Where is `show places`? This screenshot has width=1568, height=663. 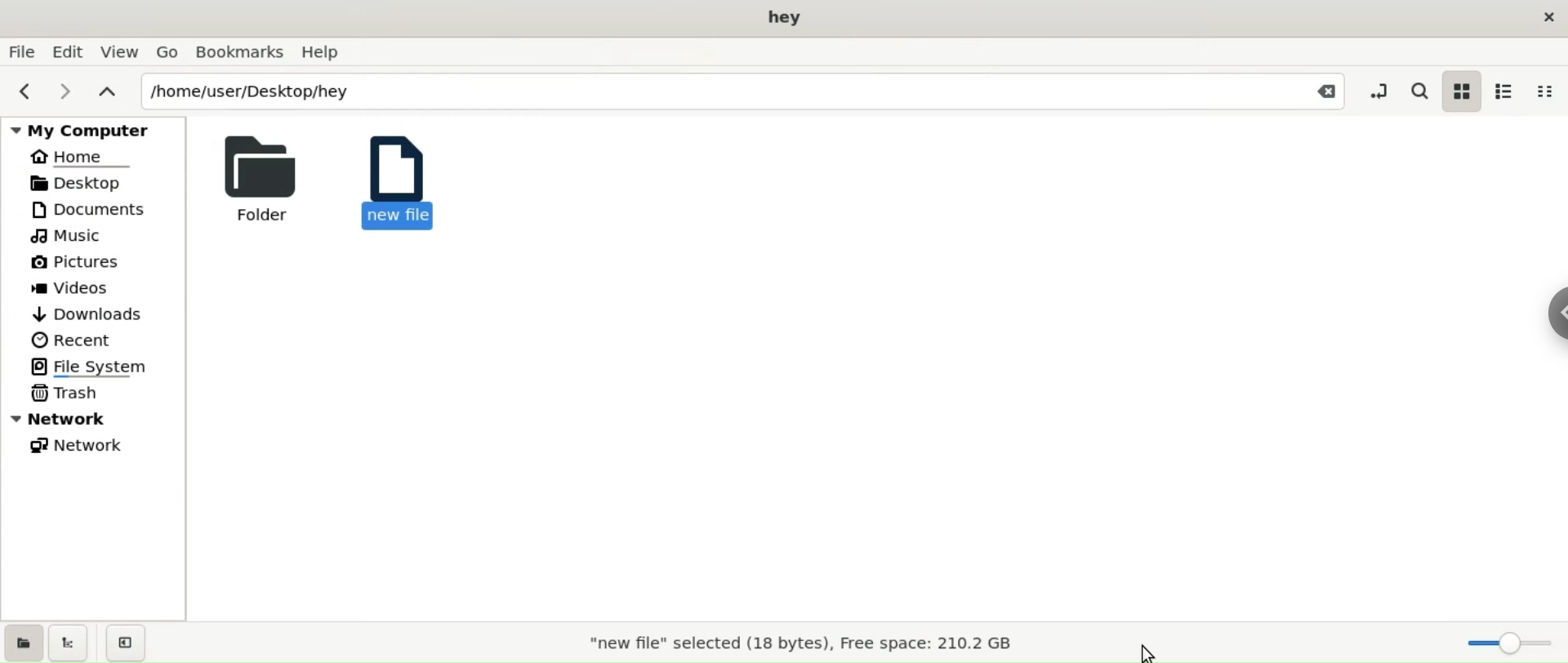
show places is located at coordinates (23, 642).